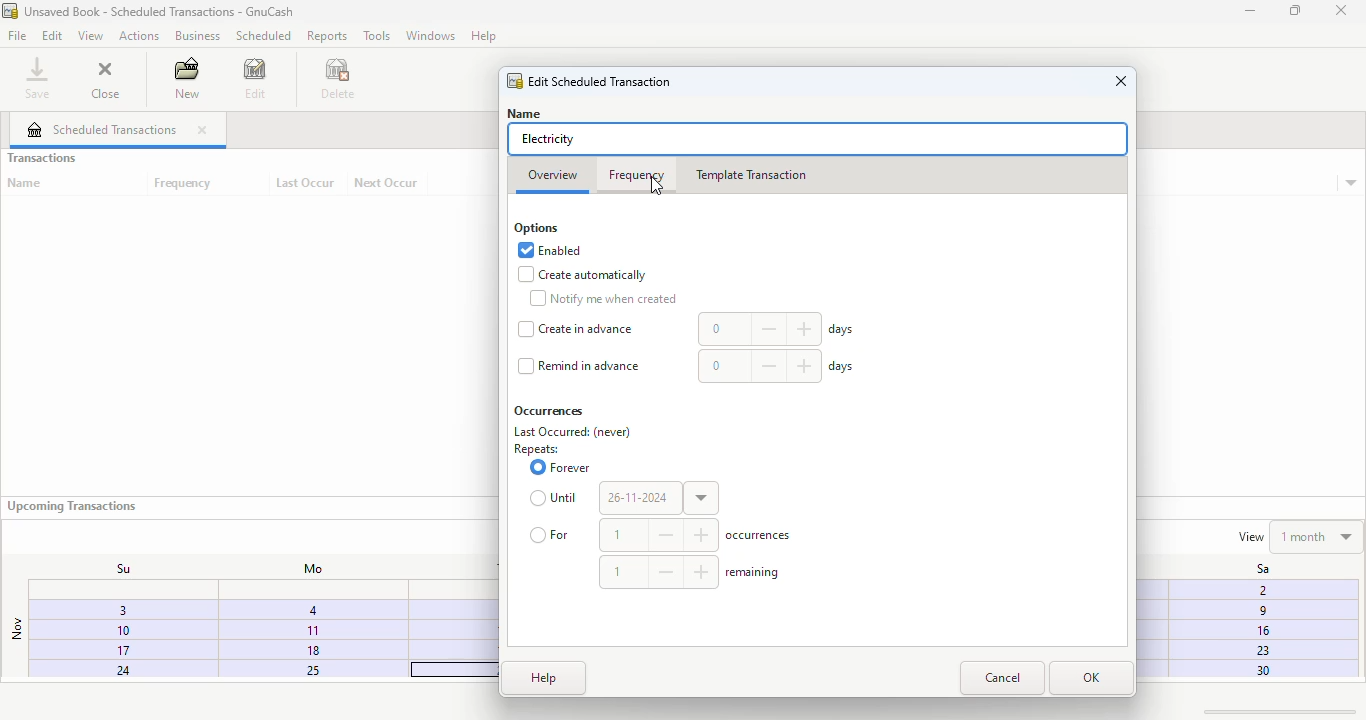 The image size is (1366, 720). Describe the element at coordinates (328, 35) in the screenshot. I see `reports` at that location.